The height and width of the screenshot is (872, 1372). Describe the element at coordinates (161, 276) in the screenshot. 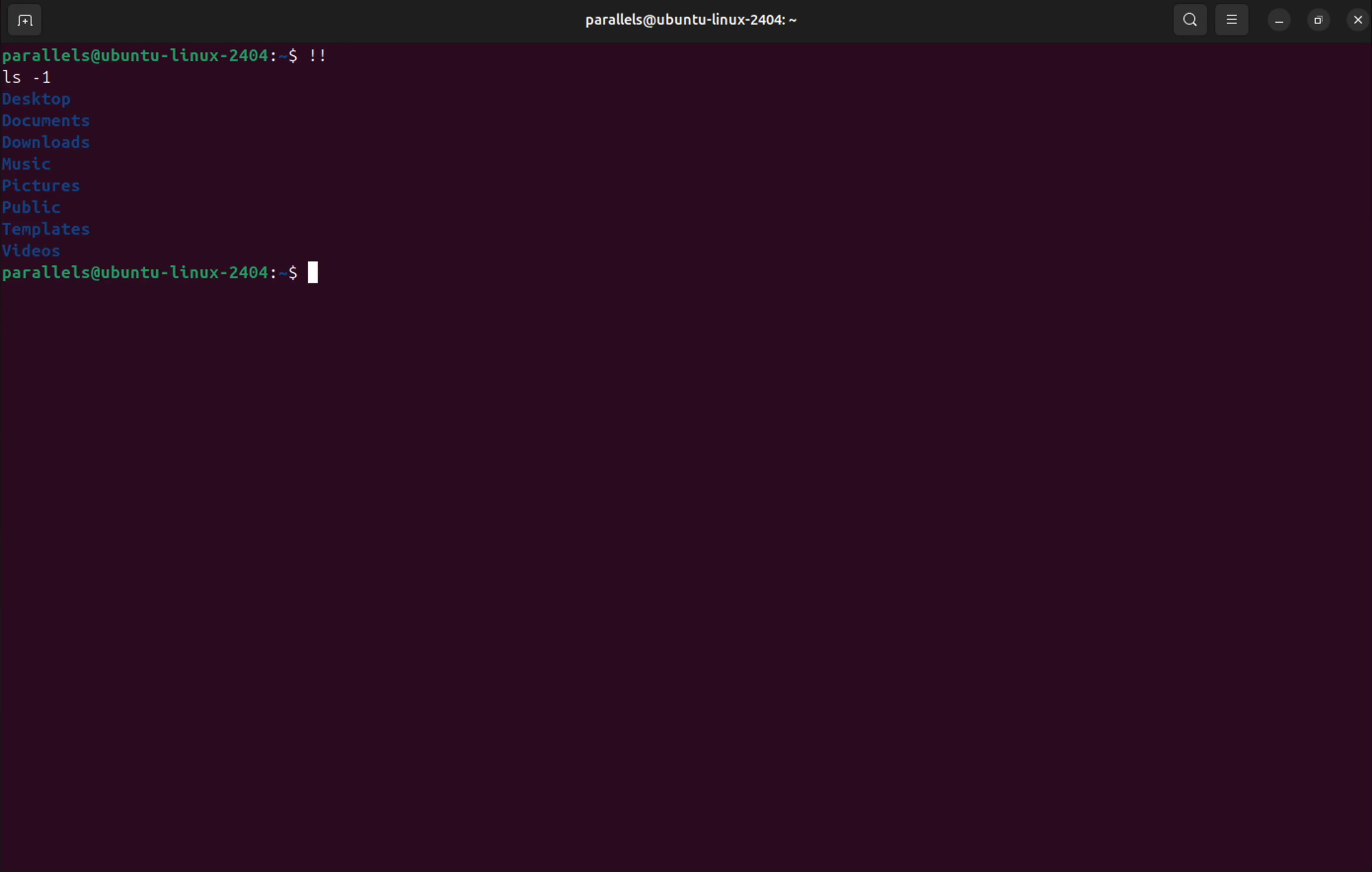

I see `bash prompt` at that location.